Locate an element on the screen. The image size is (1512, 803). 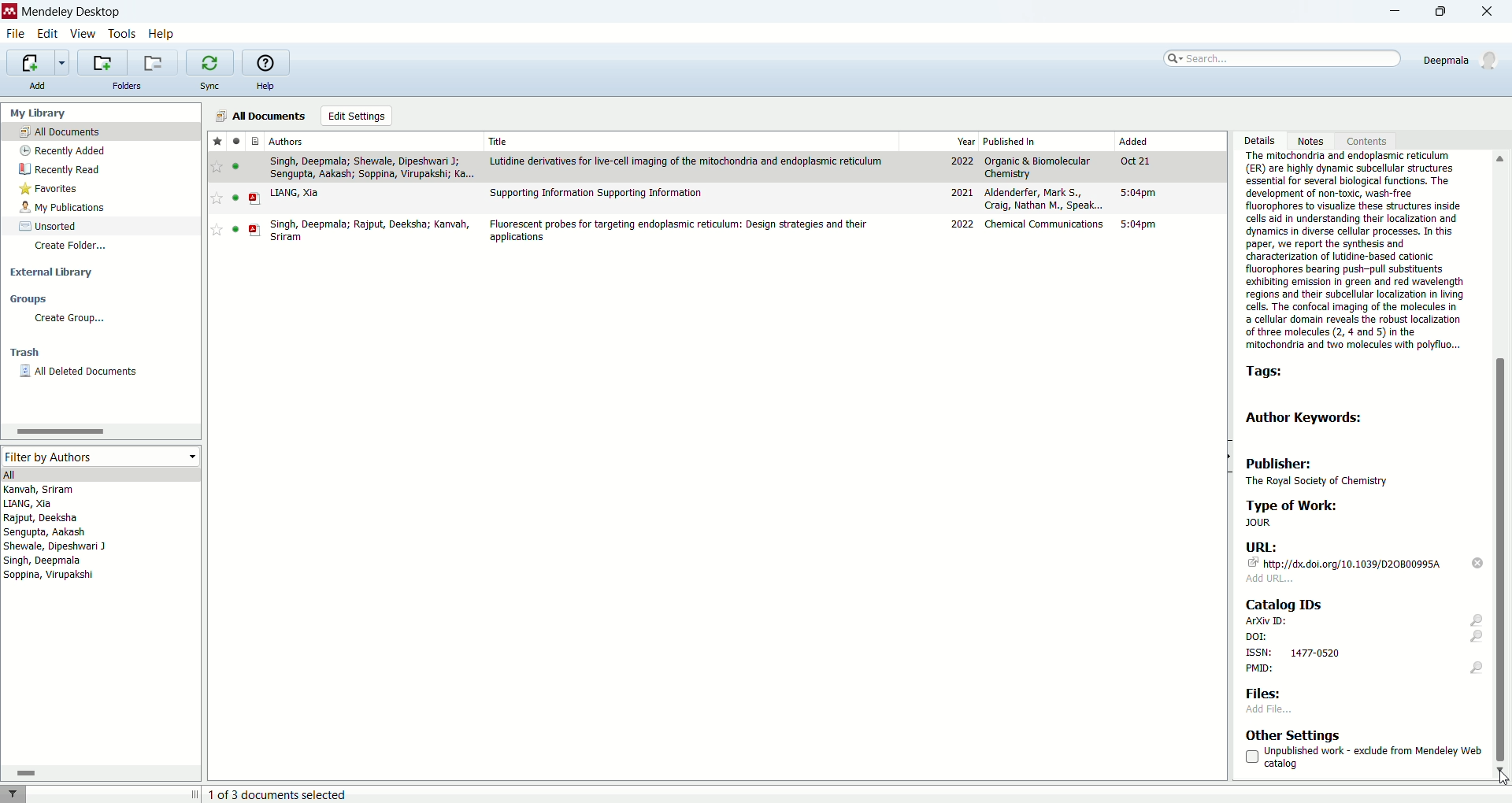
favorites is located at coordinates (217, 140).